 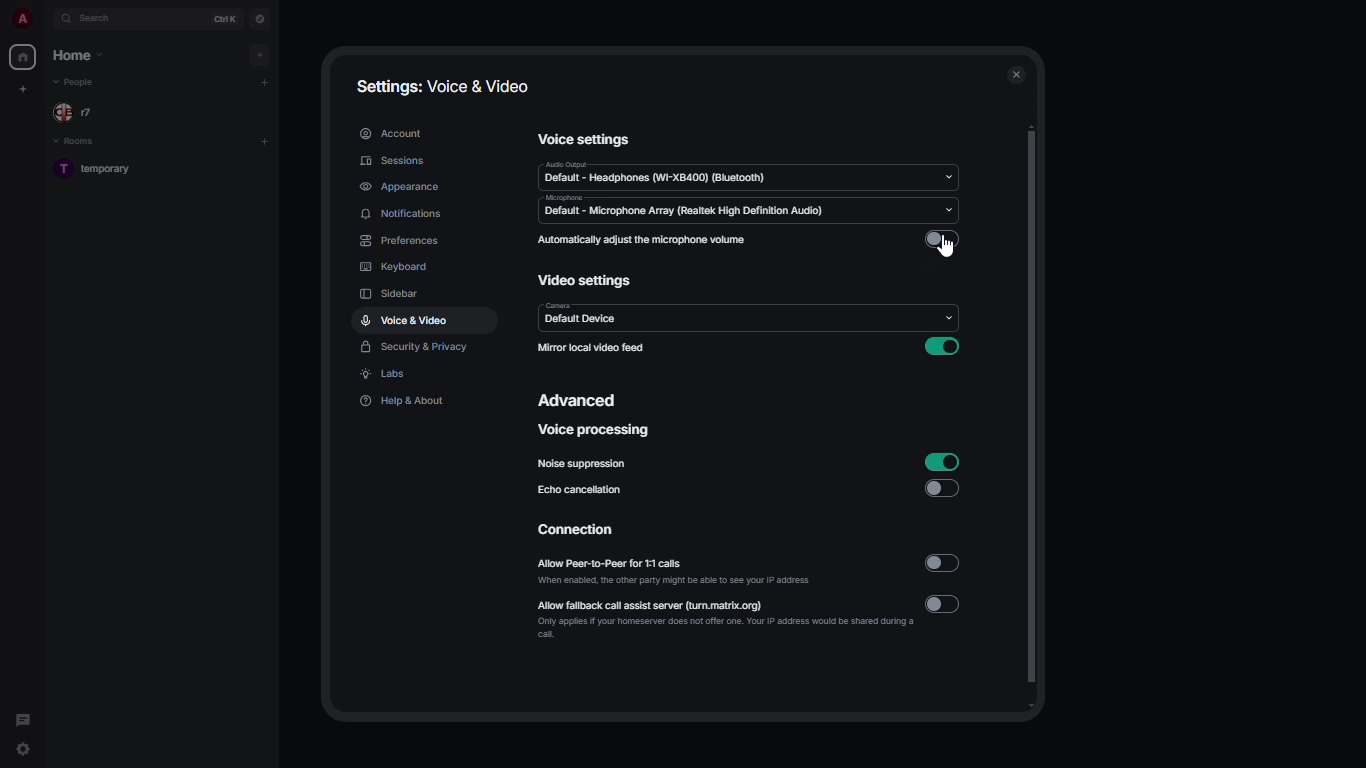 I want to click on disabled, so click(x=947, y=488).